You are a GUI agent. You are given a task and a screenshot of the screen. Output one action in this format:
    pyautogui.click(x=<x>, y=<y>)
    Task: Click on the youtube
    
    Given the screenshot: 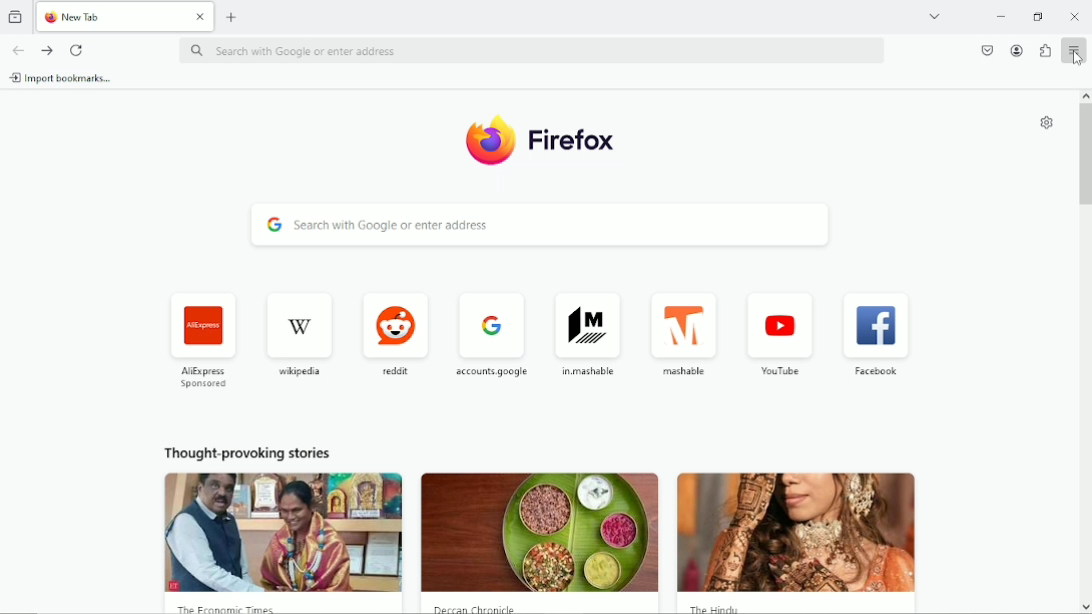 What is the action you would take?
    pyautogui.click(x=780, y=332)
    